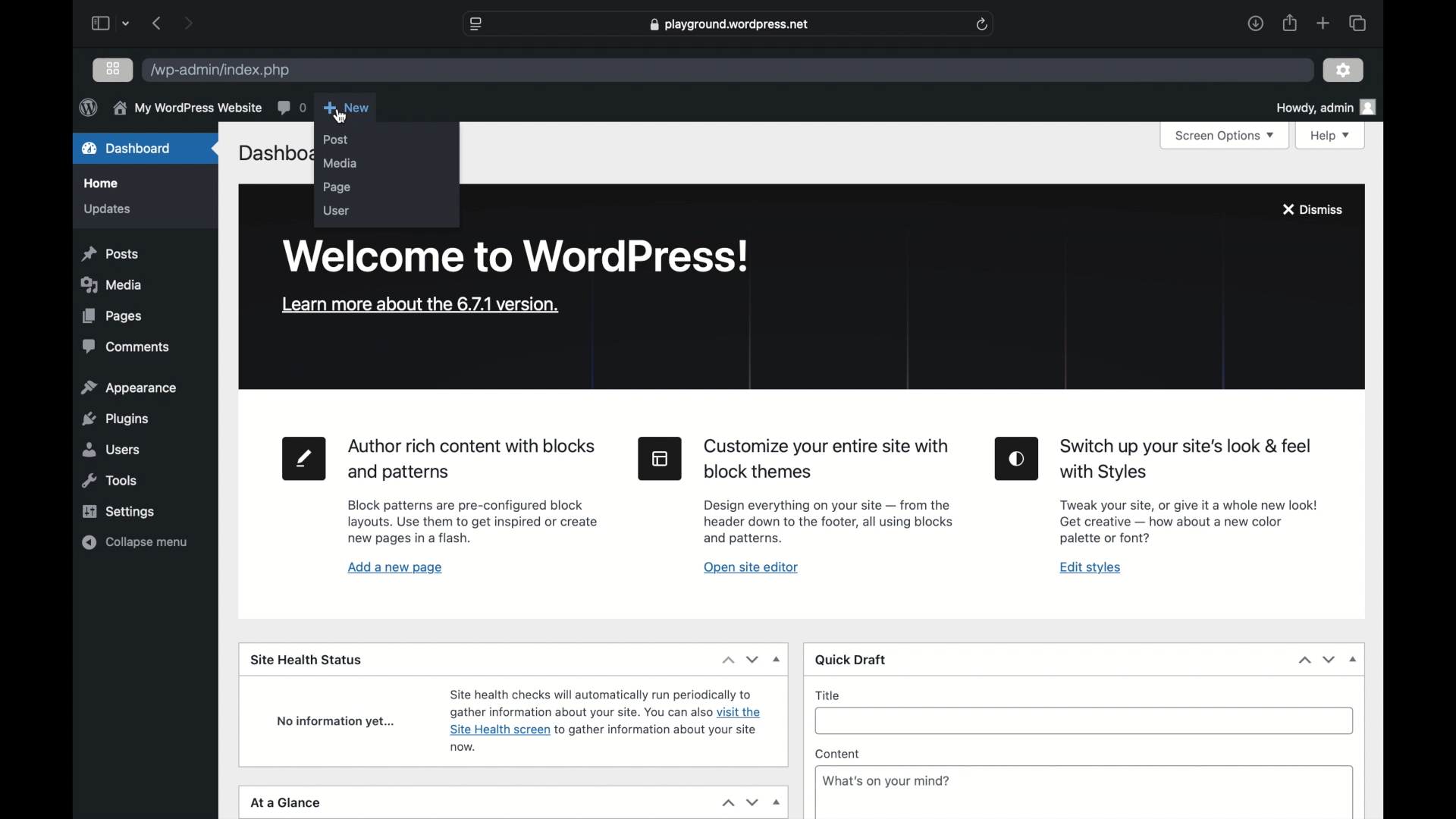  Describe the element at coordinates (340, 115) in the screenshot. I see `cursor` at that location.